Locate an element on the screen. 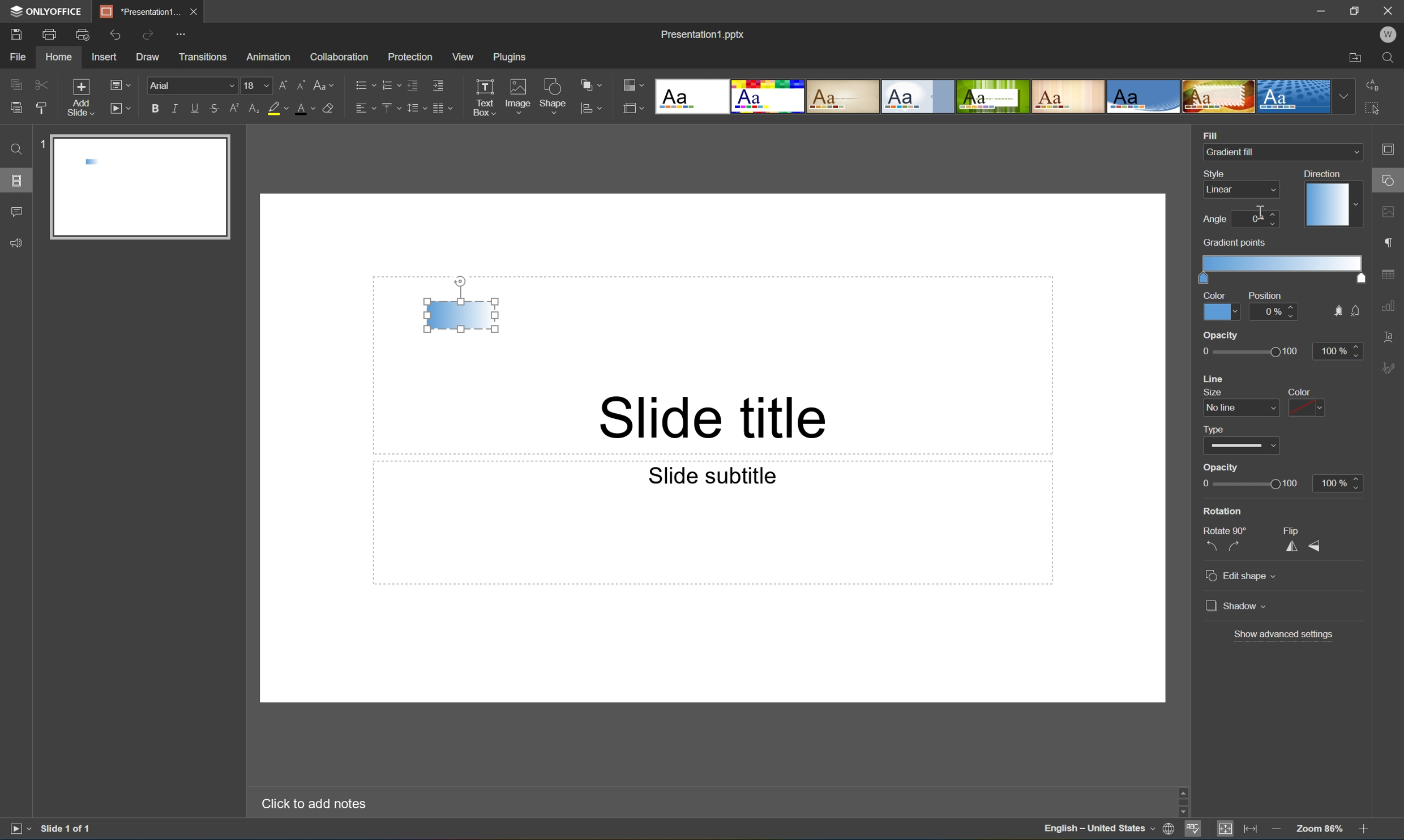 The image size is (1404, 840). Start slideshow is located at coordinates (19, 828).